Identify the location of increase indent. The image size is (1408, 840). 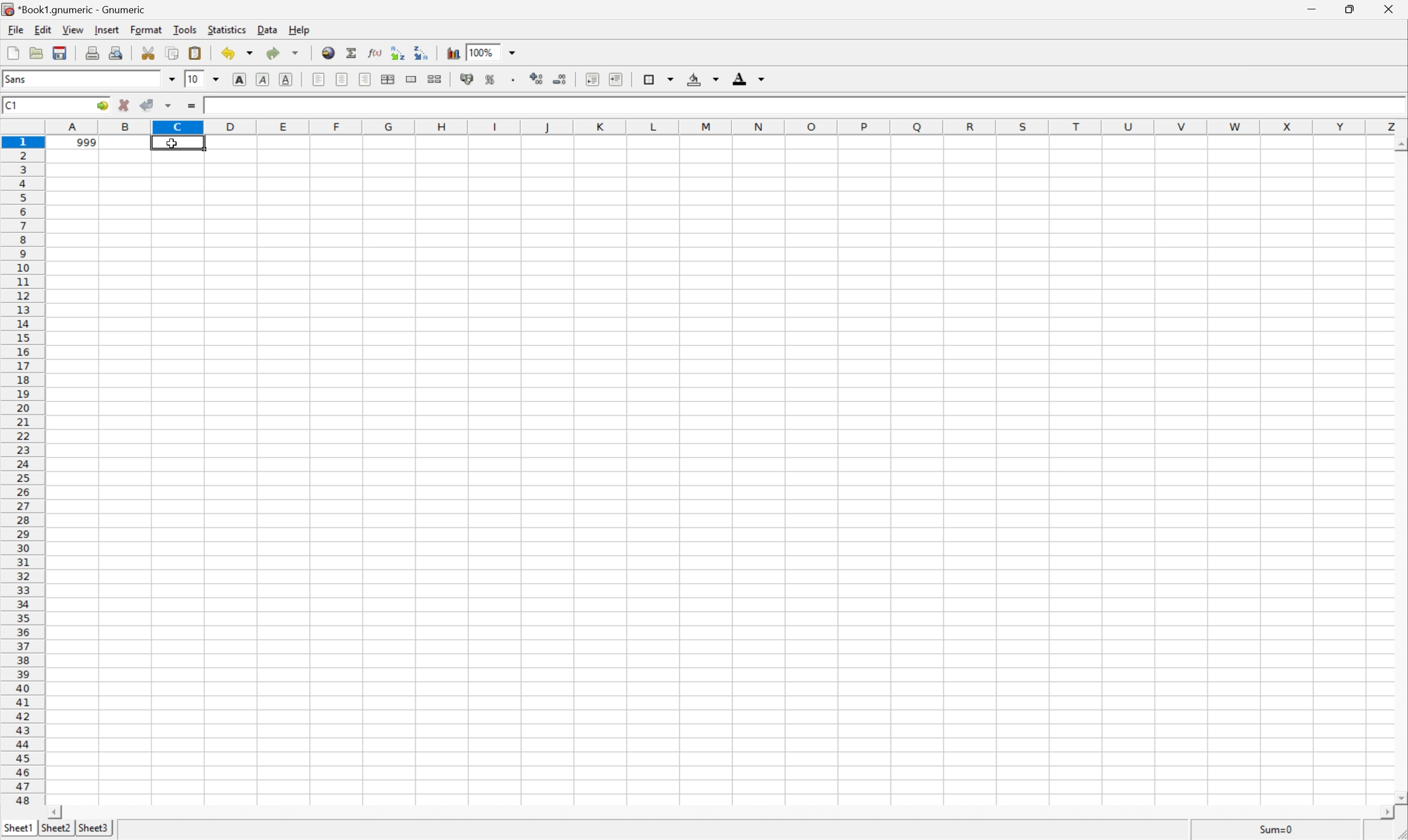
(615, 79).